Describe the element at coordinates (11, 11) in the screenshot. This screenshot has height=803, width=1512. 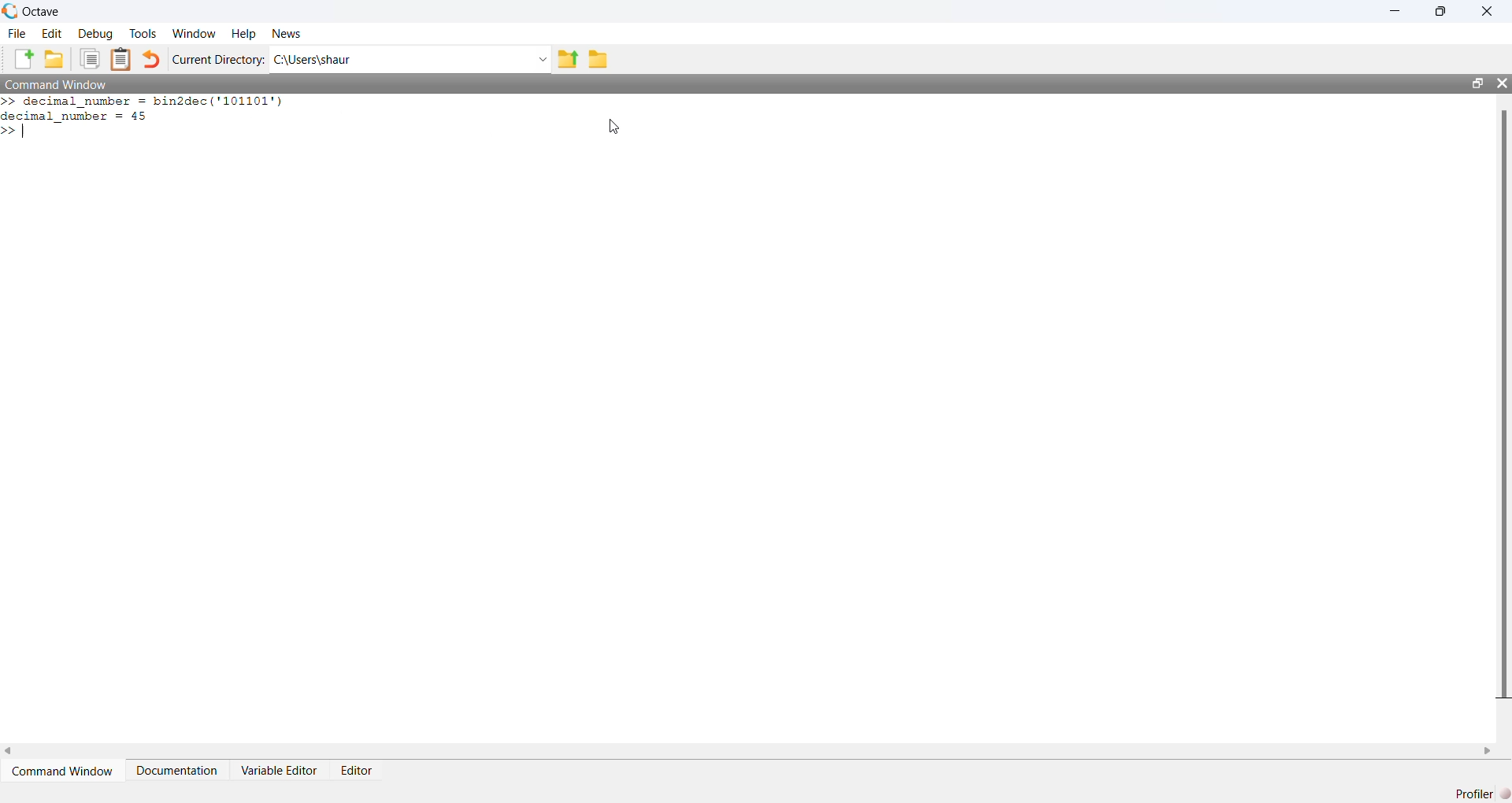
I see `logo` at that location.